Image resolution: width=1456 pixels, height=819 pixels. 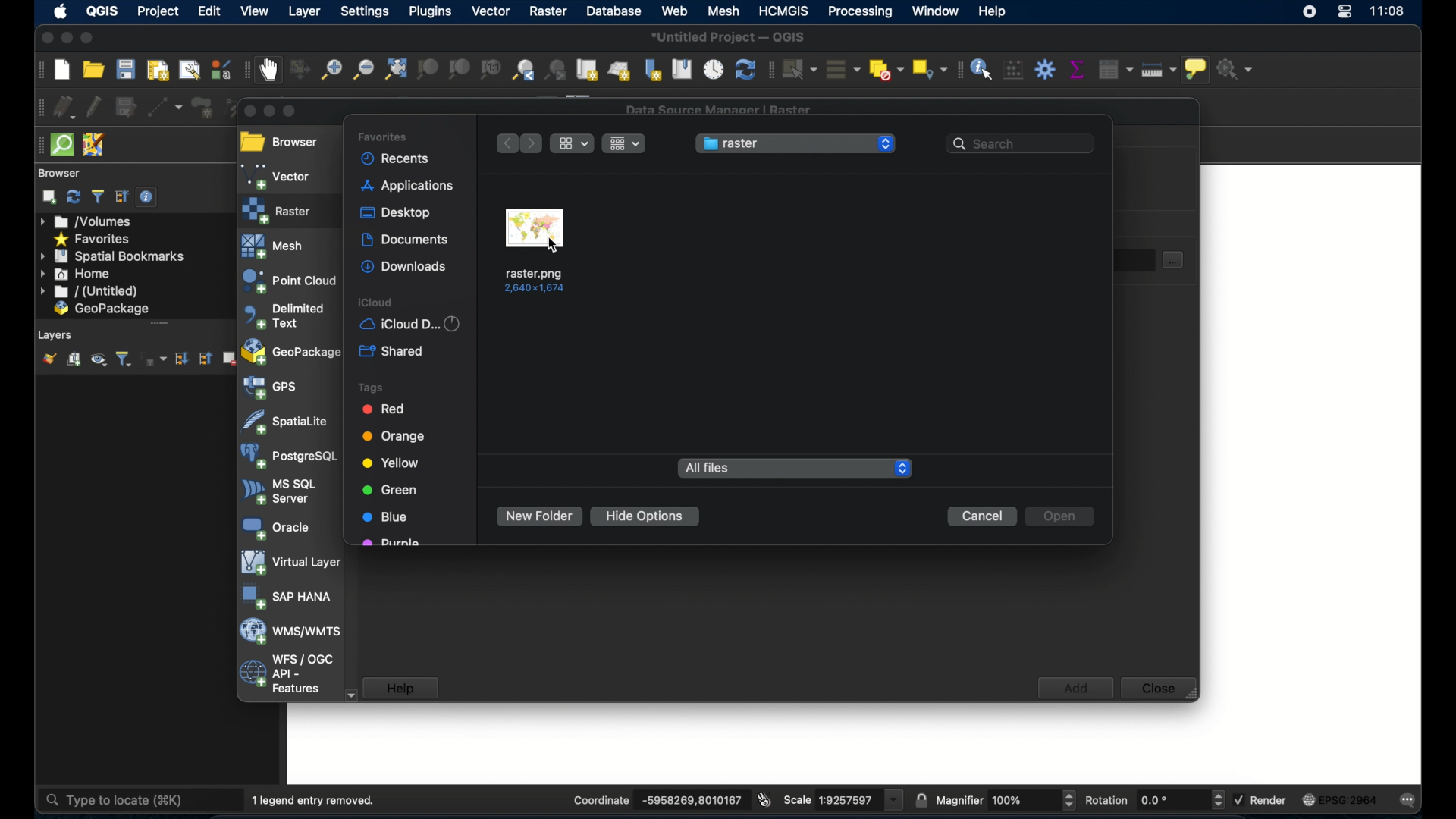 What do you see at coordinates (524, 69) in the screenshot?
I see `zoom last` at bounding box center [524, 69].